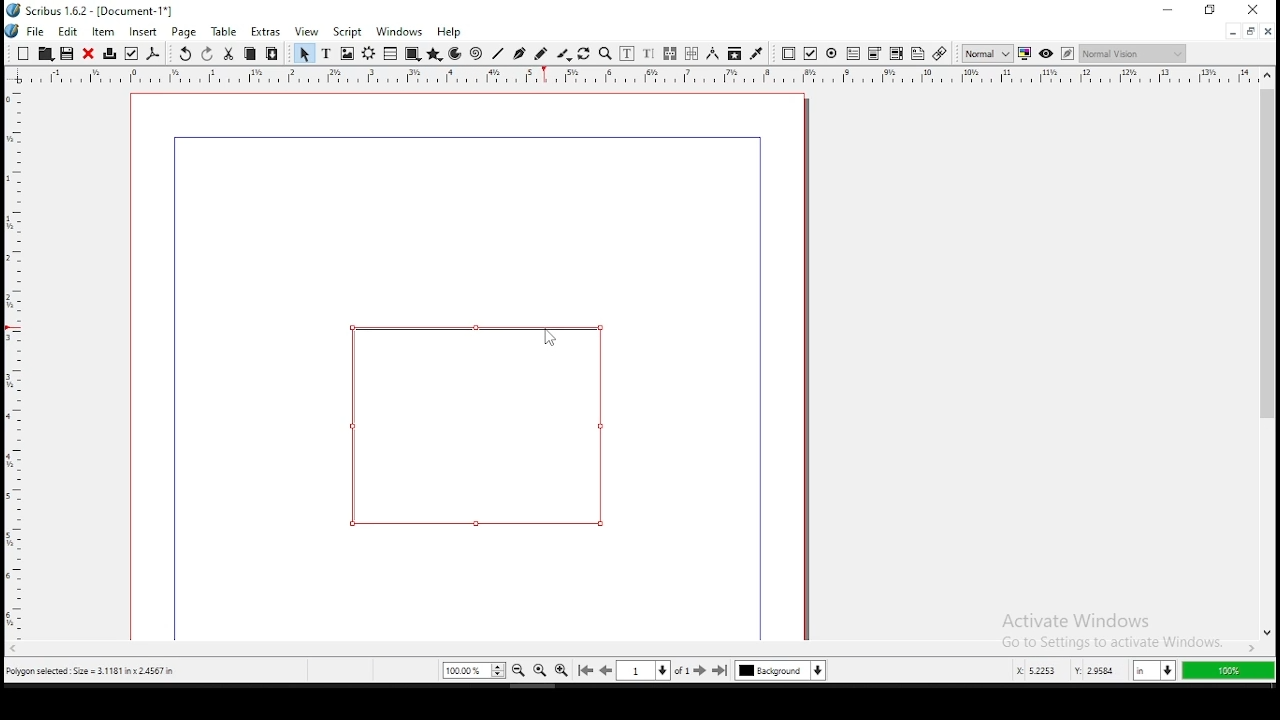  I want to click on x: 5.2253, so click(1031, 671).